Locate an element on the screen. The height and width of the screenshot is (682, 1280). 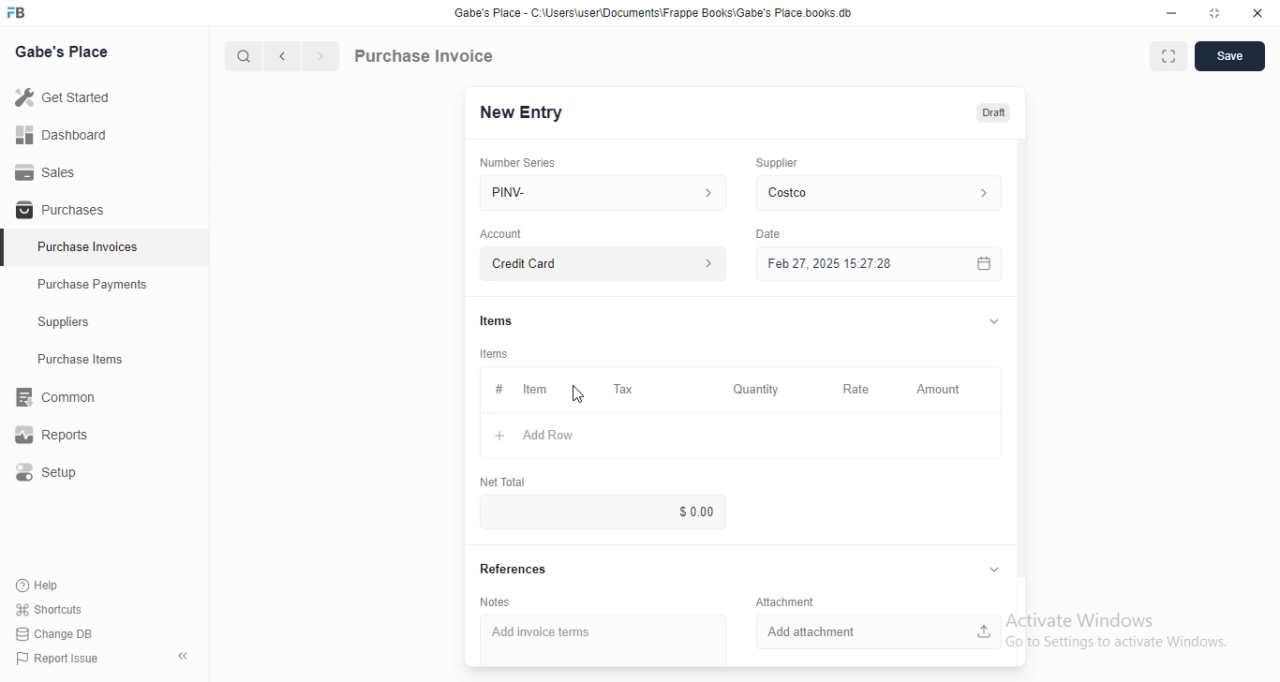
Collapse is located at coordinates (994, 569).